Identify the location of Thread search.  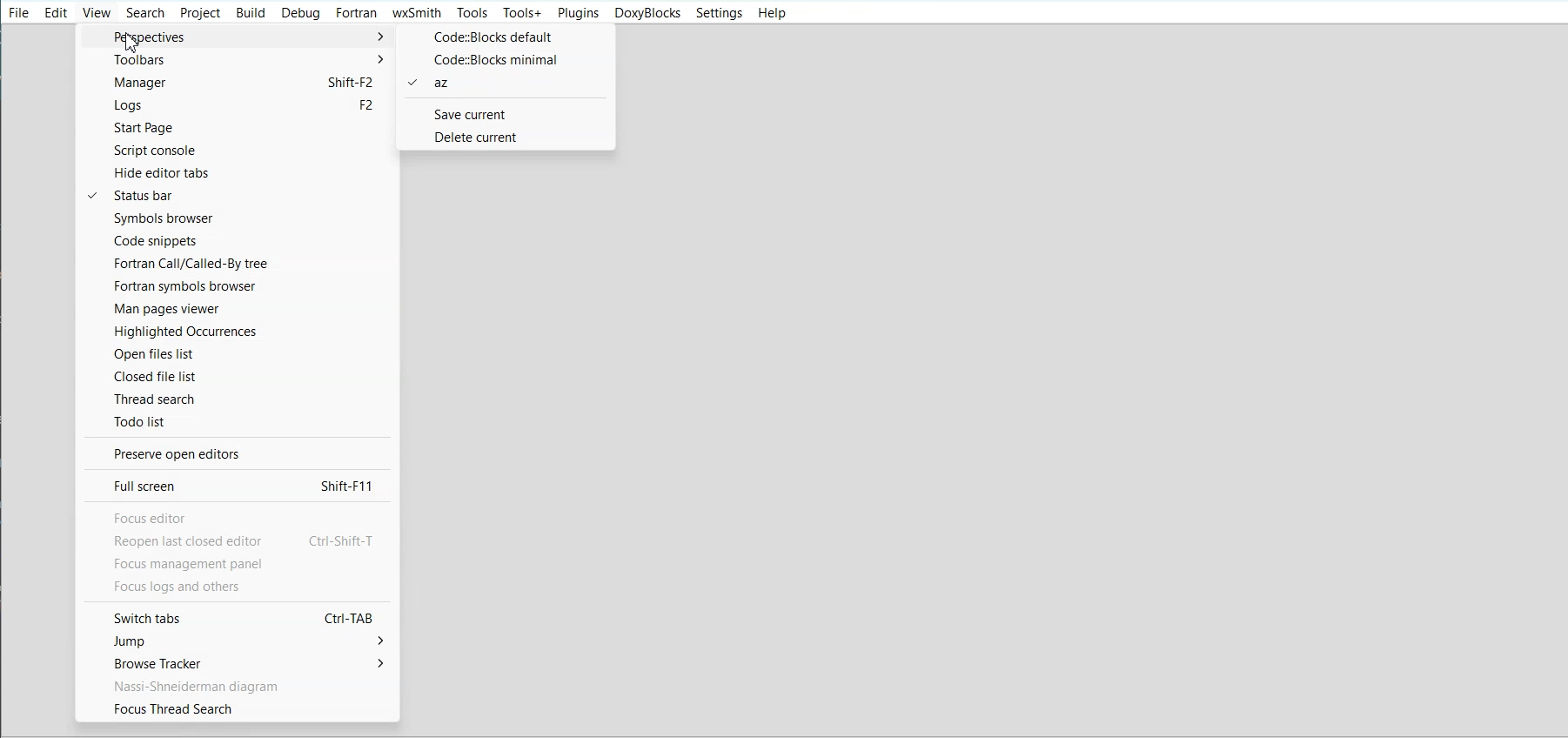
(238, 399).